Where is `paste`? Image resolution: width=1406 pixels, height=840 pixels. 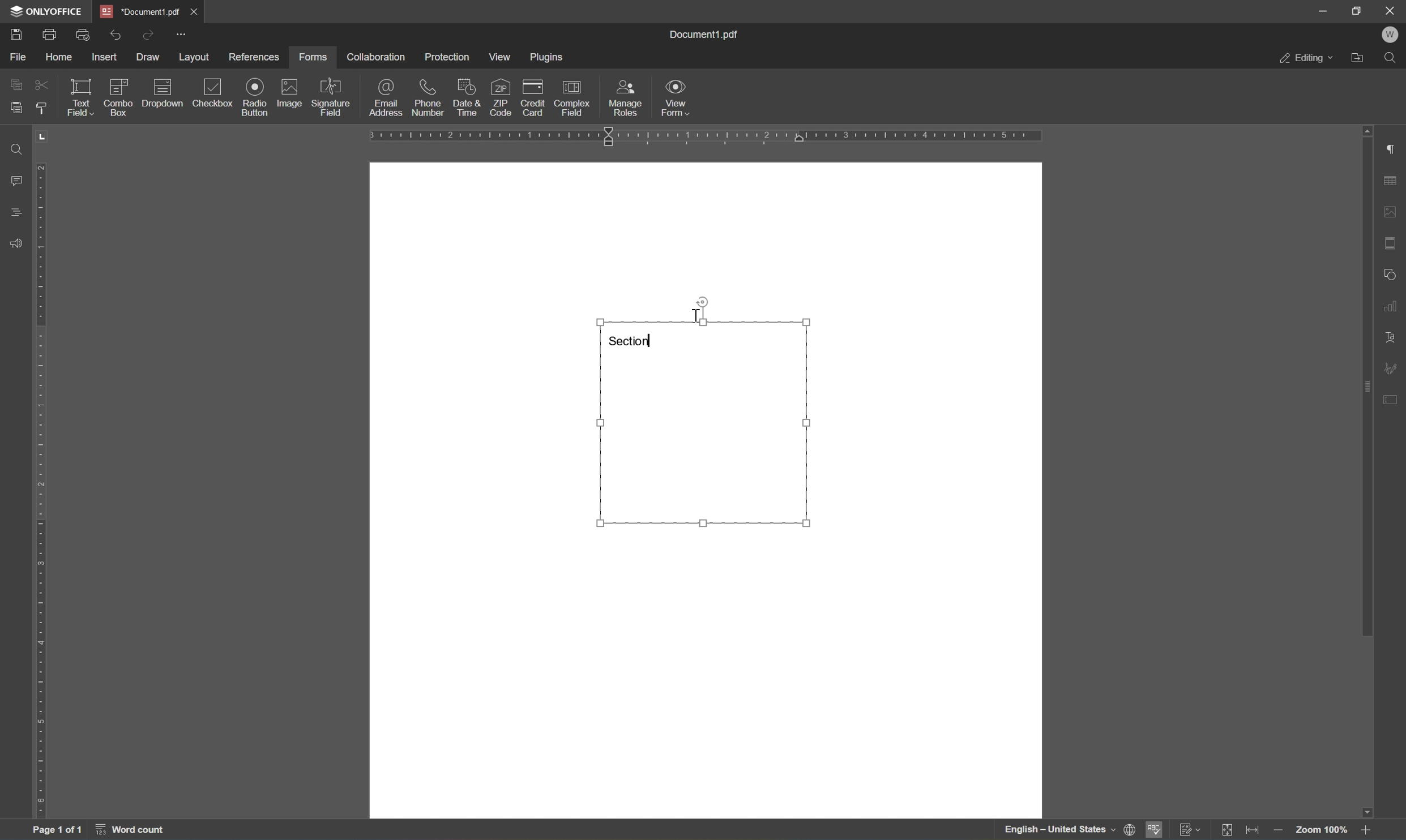
paste is located at coordinates (16, 108).